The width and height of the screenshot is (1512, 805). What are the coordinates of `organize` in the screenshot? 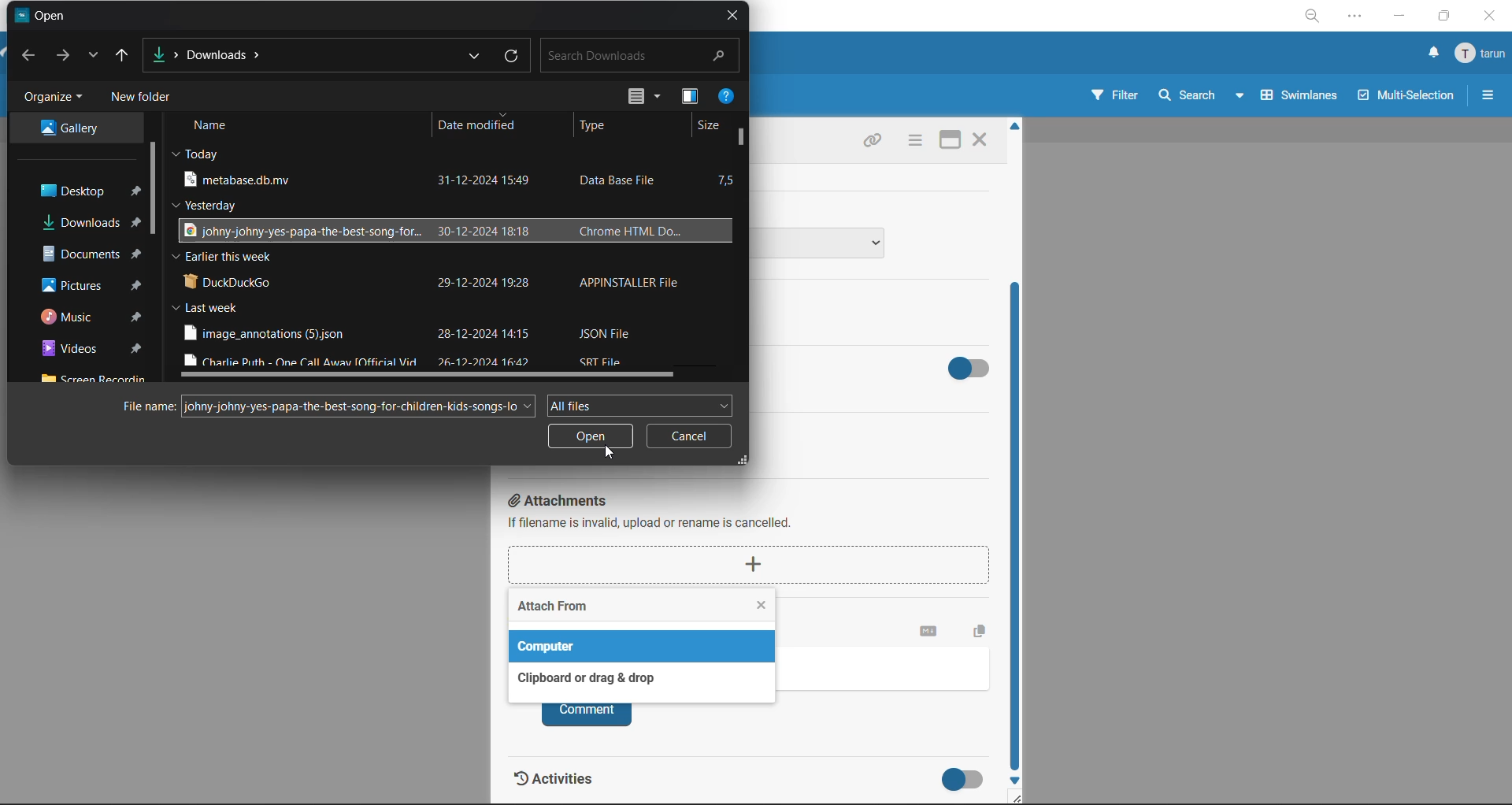 It's located at (53, 99).